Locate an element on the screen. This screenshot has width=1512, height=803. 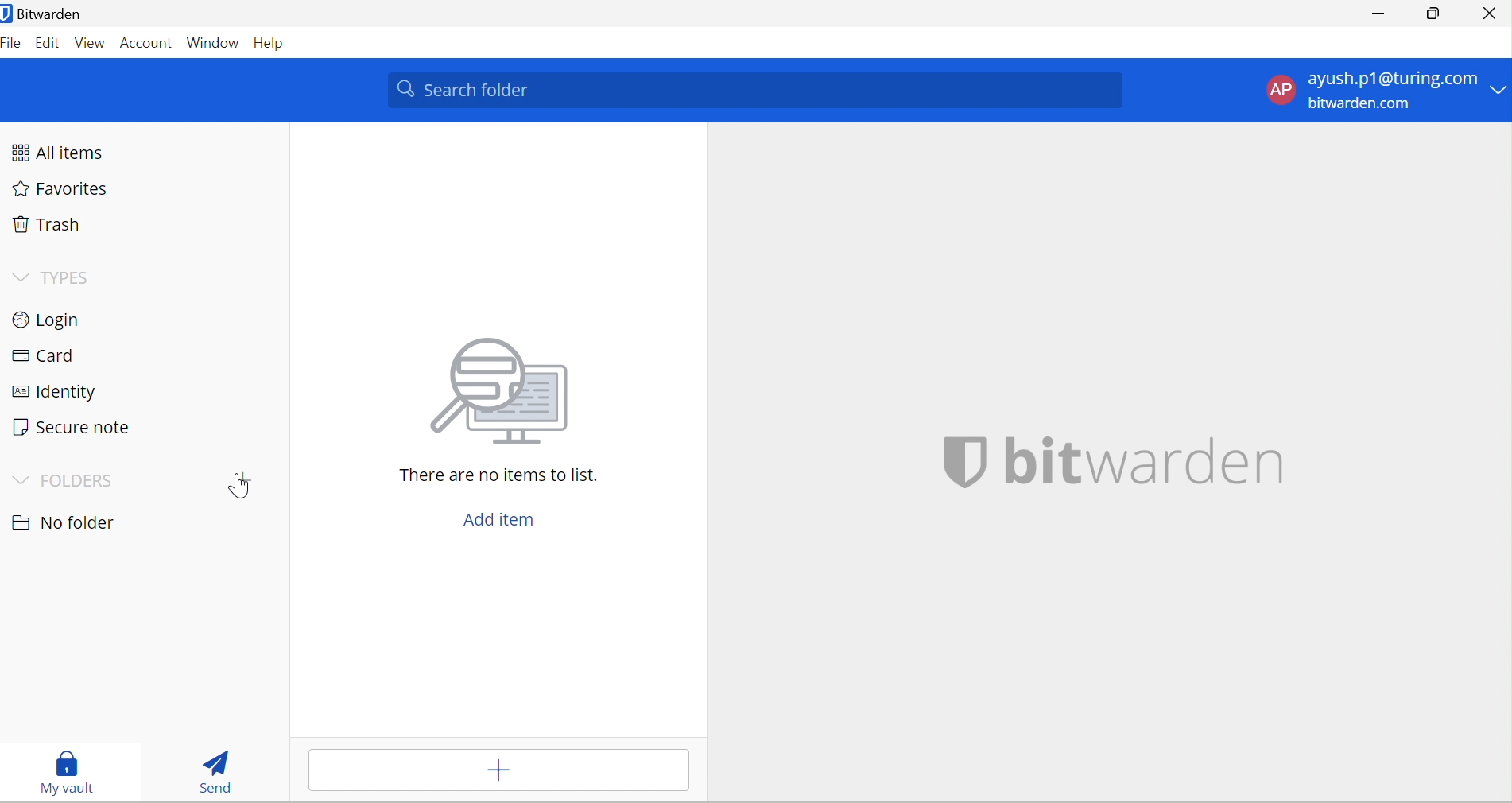
Window is located at coordinates (212, 41).